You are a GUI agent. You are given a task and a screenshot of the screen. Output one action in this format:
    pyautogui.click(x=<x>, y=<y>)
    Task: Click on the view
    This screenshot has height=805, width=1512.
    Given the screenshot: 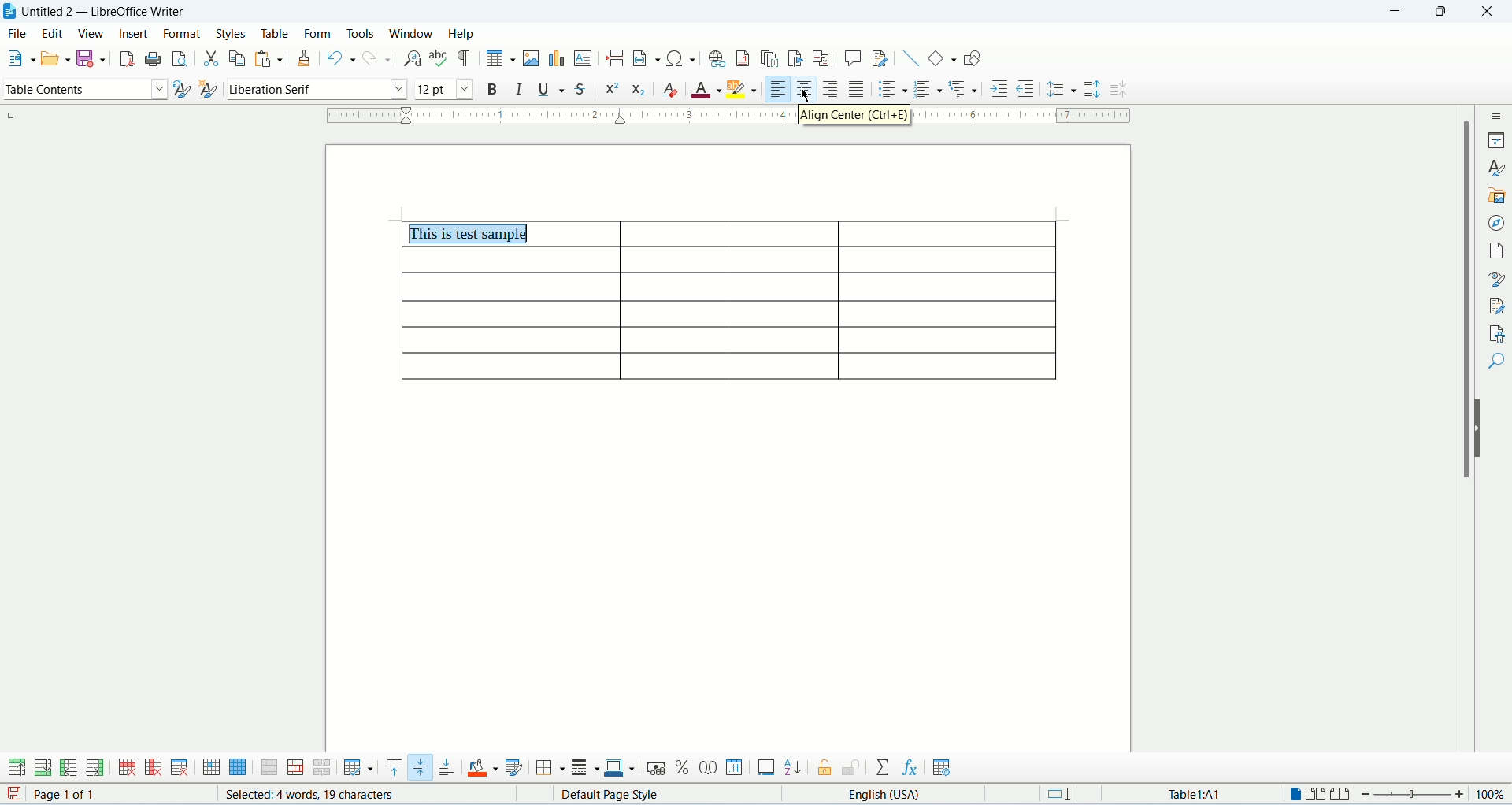 What is the action you would take?
    pyautogui.click(x=91, y=34)
    